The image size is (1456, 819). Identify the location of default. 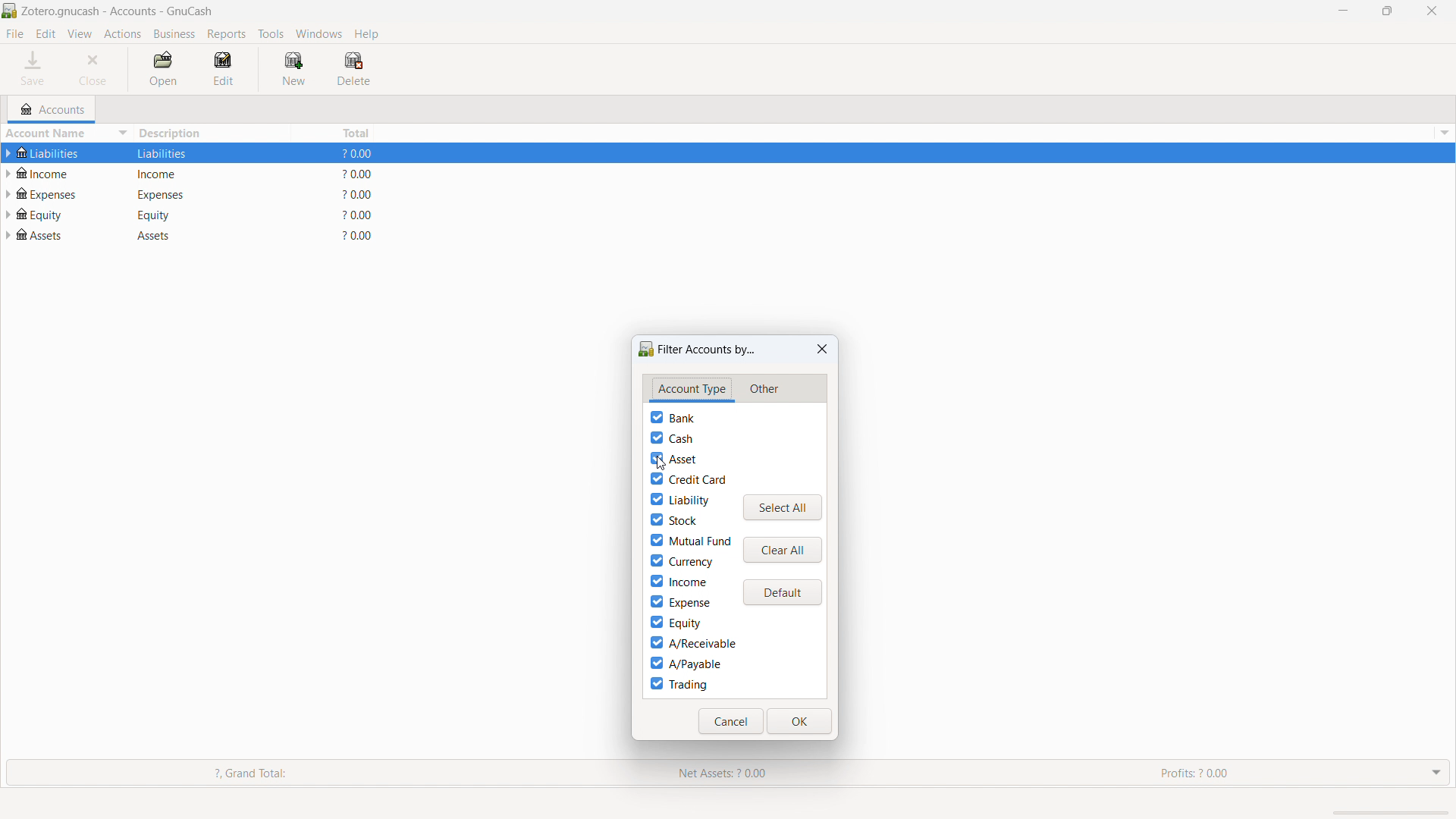
(782, 593).